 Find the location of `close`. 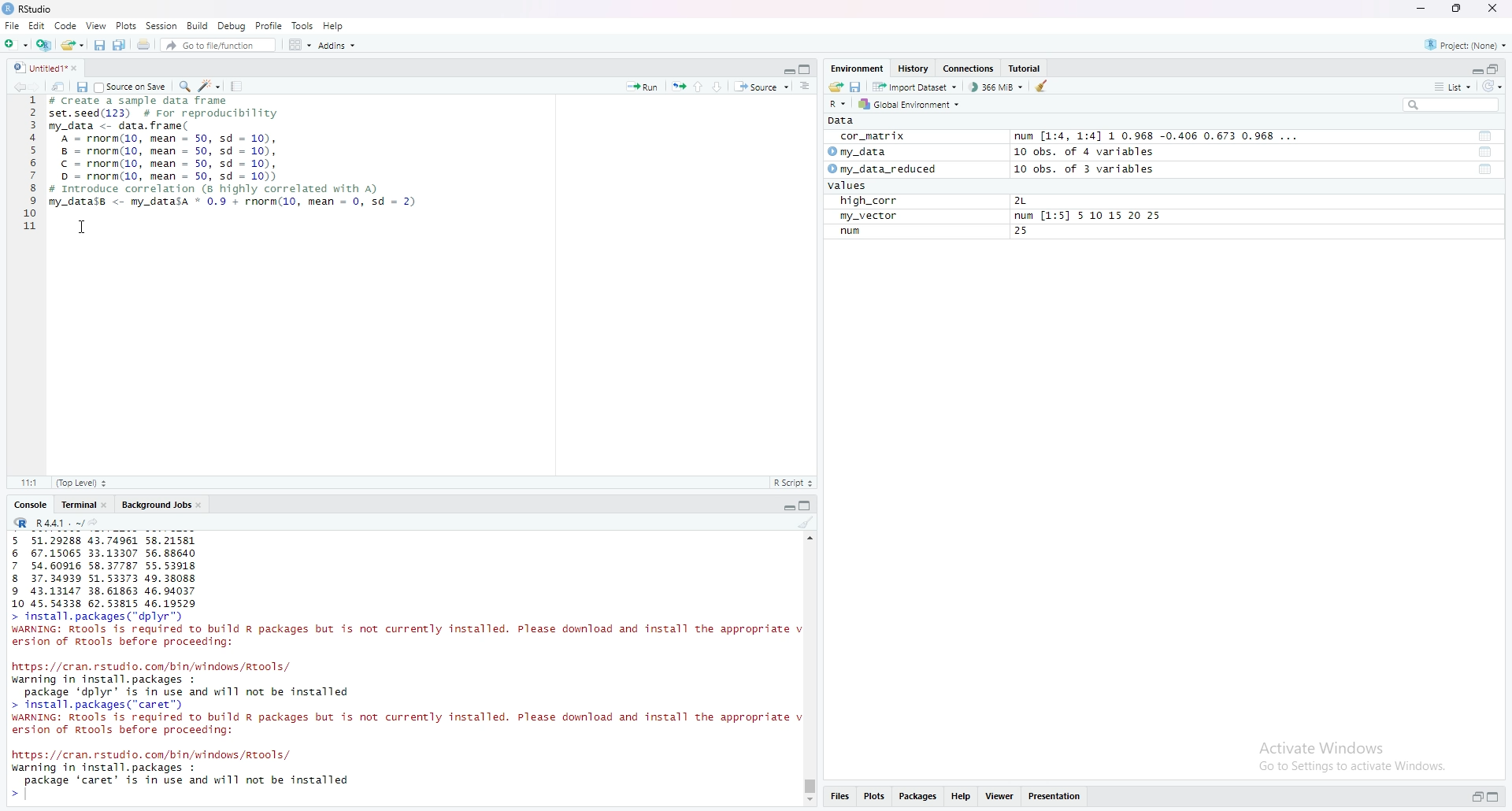

close is located at coordinates (106, 505).